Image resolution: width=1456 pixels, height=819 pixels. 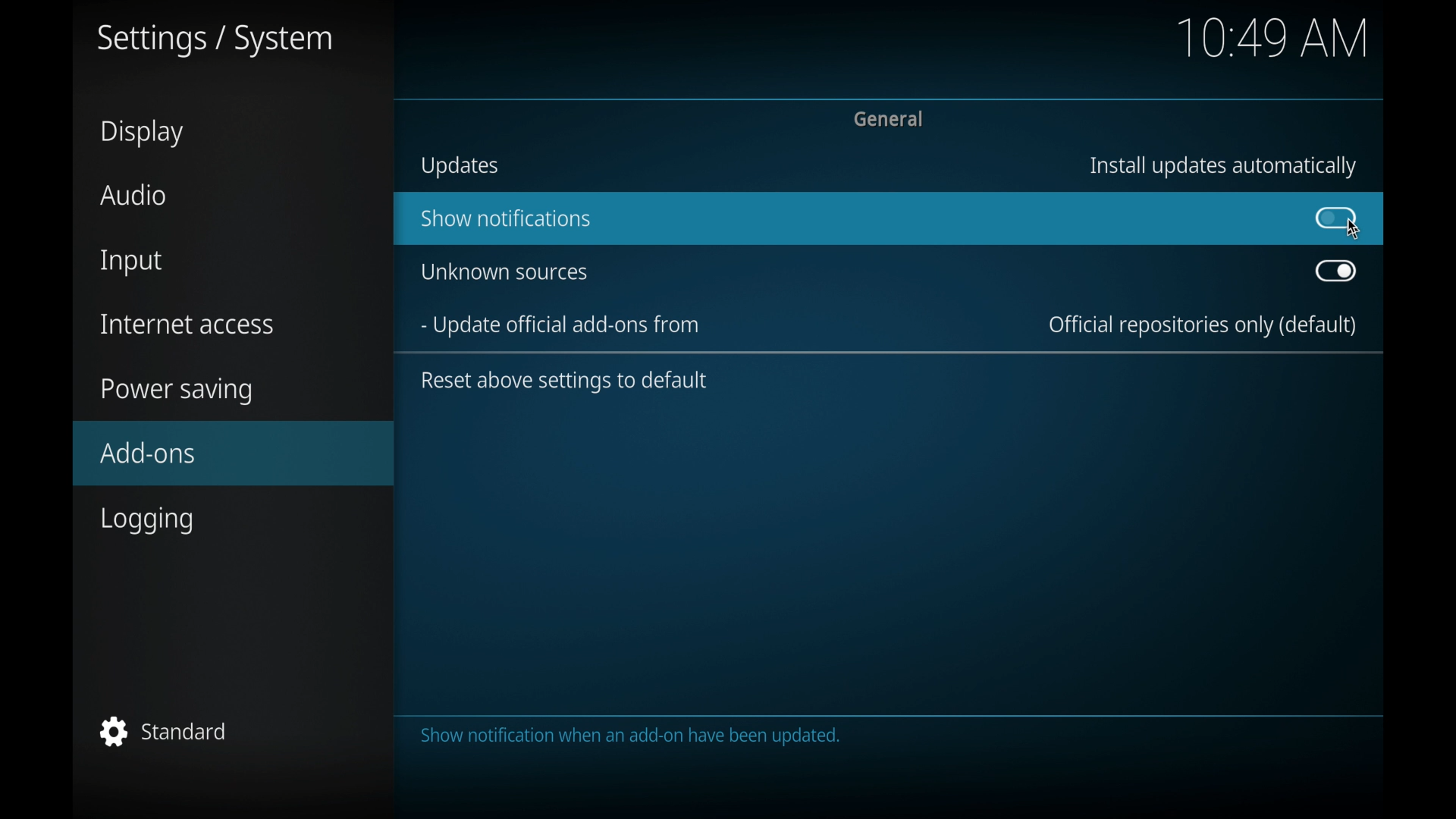 What do you see at coordinates (143, 133) in the screenshot?
I see `display` at bounding box center [143, 133].